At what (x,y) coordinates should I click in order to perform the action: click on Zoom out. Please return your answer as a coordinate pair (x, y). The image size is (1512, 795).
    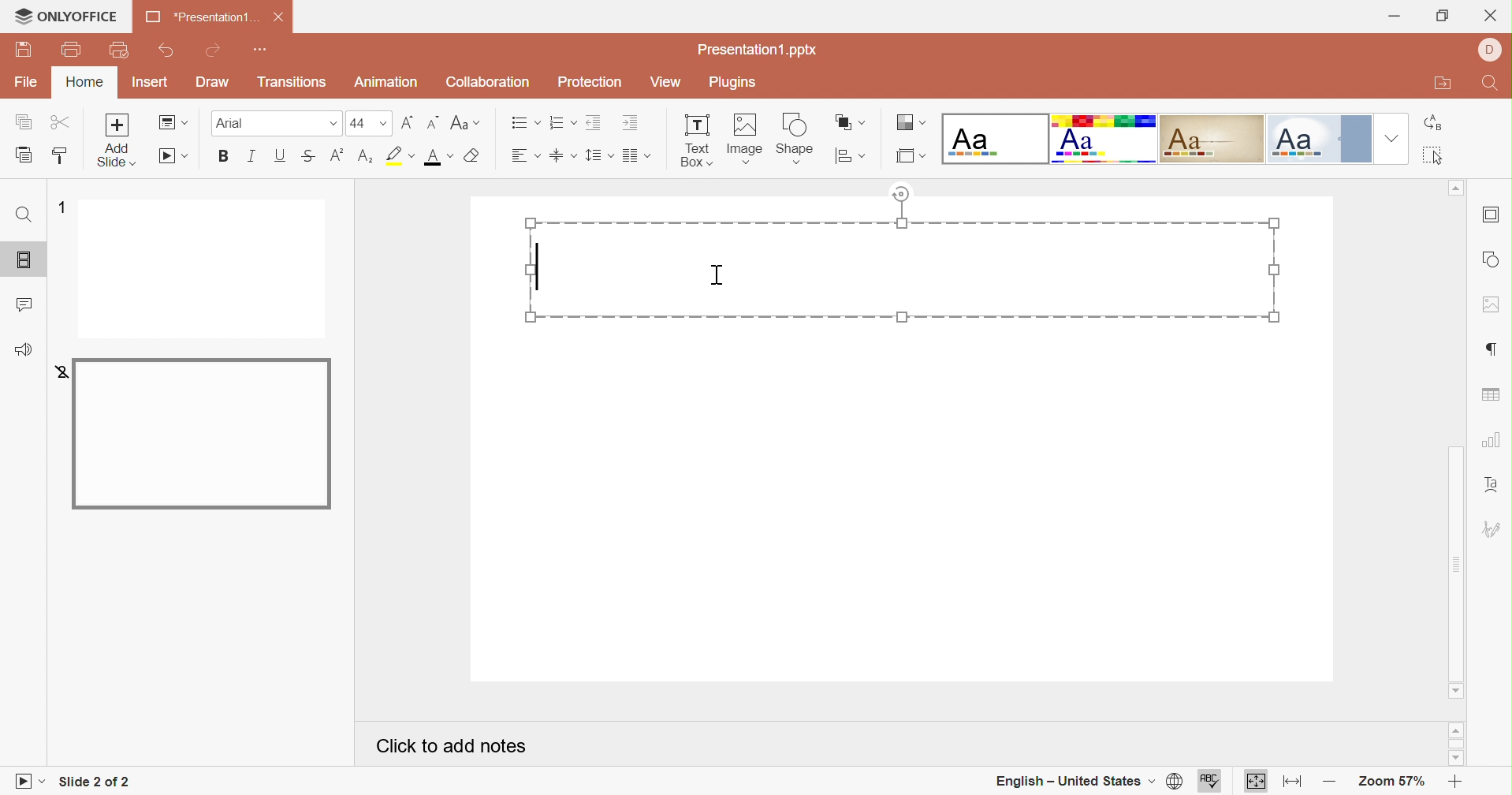
    Looking at the image, I should click on (1329, 785).